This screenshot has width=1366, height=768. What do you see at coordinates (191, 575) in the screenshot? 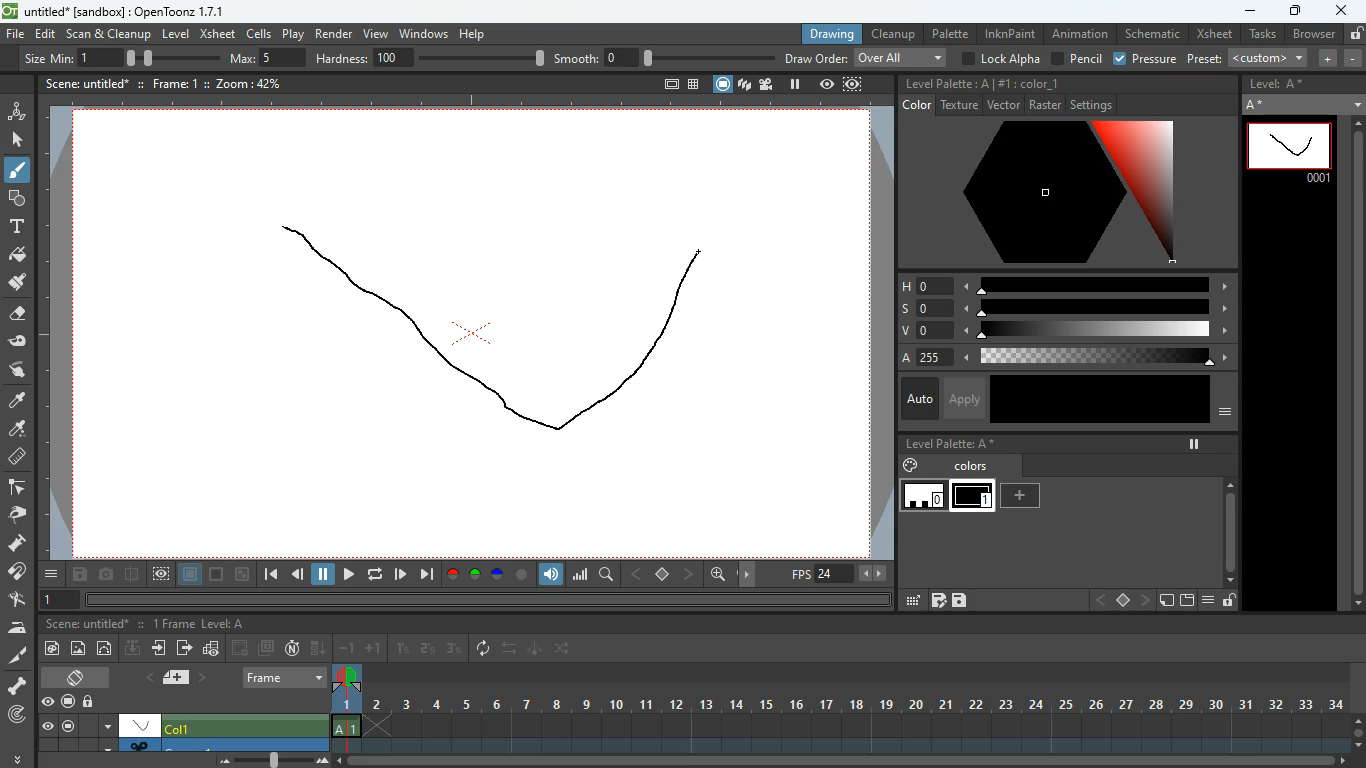
I see `page` at bounding box center [191, 575].